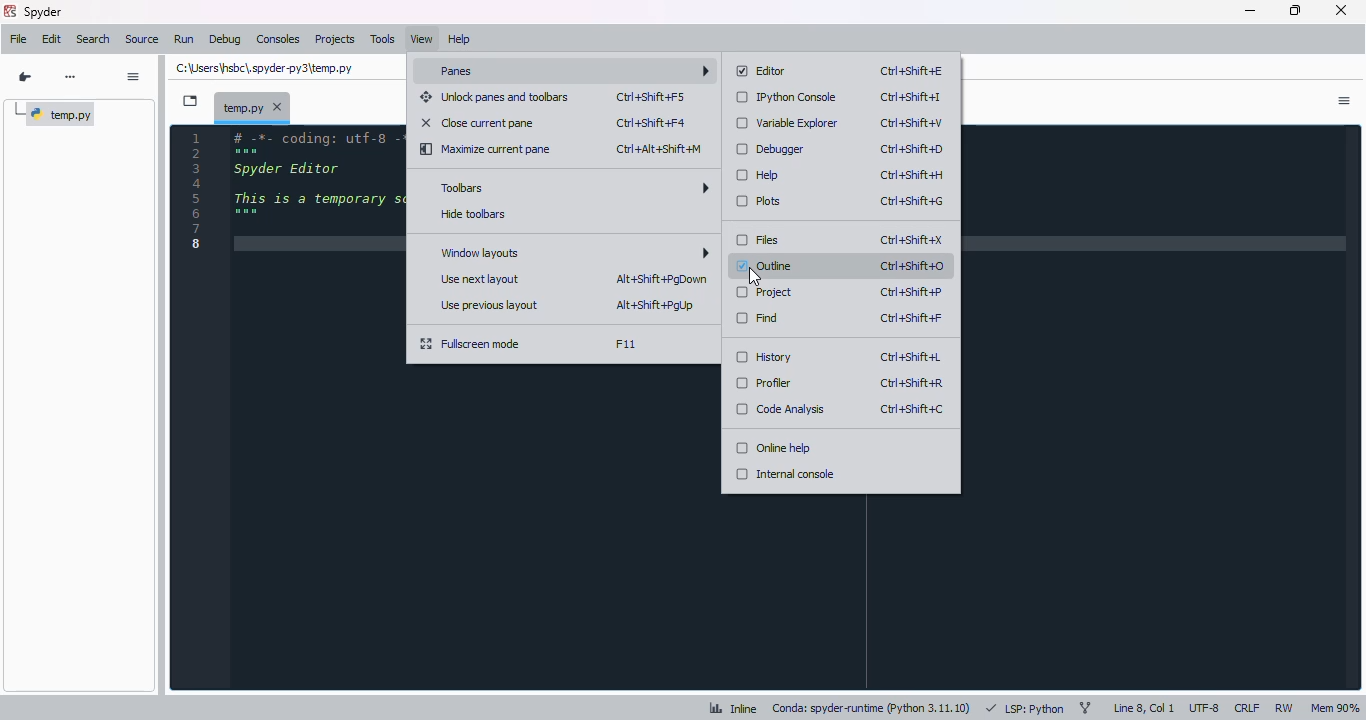  Describe the element at coordinates (572, 253) in the screenshot. I see `window layouts` at that location.